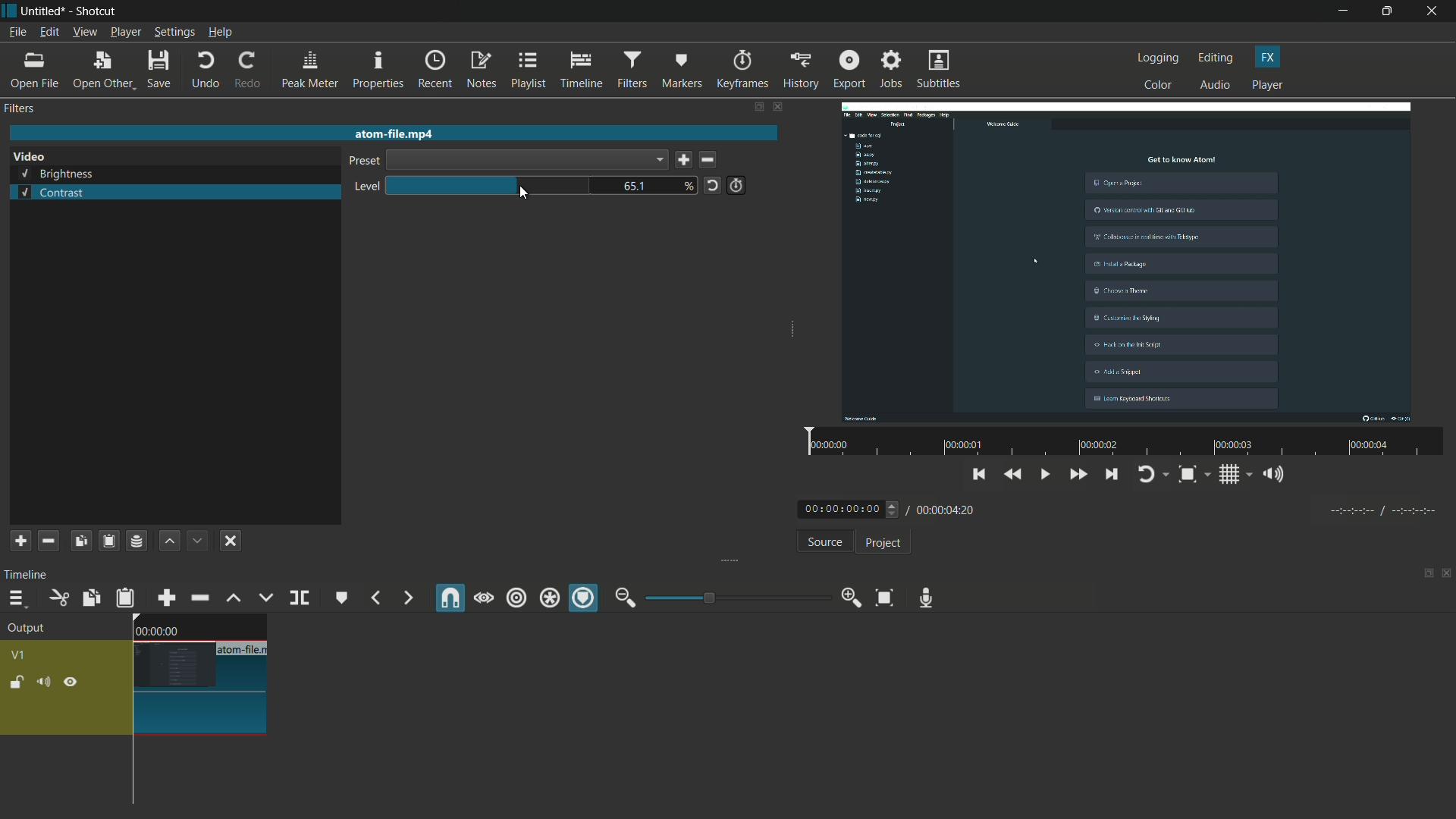 This screenshot has width=1456, height=819. I want to click on contrast, so click(51, 193).